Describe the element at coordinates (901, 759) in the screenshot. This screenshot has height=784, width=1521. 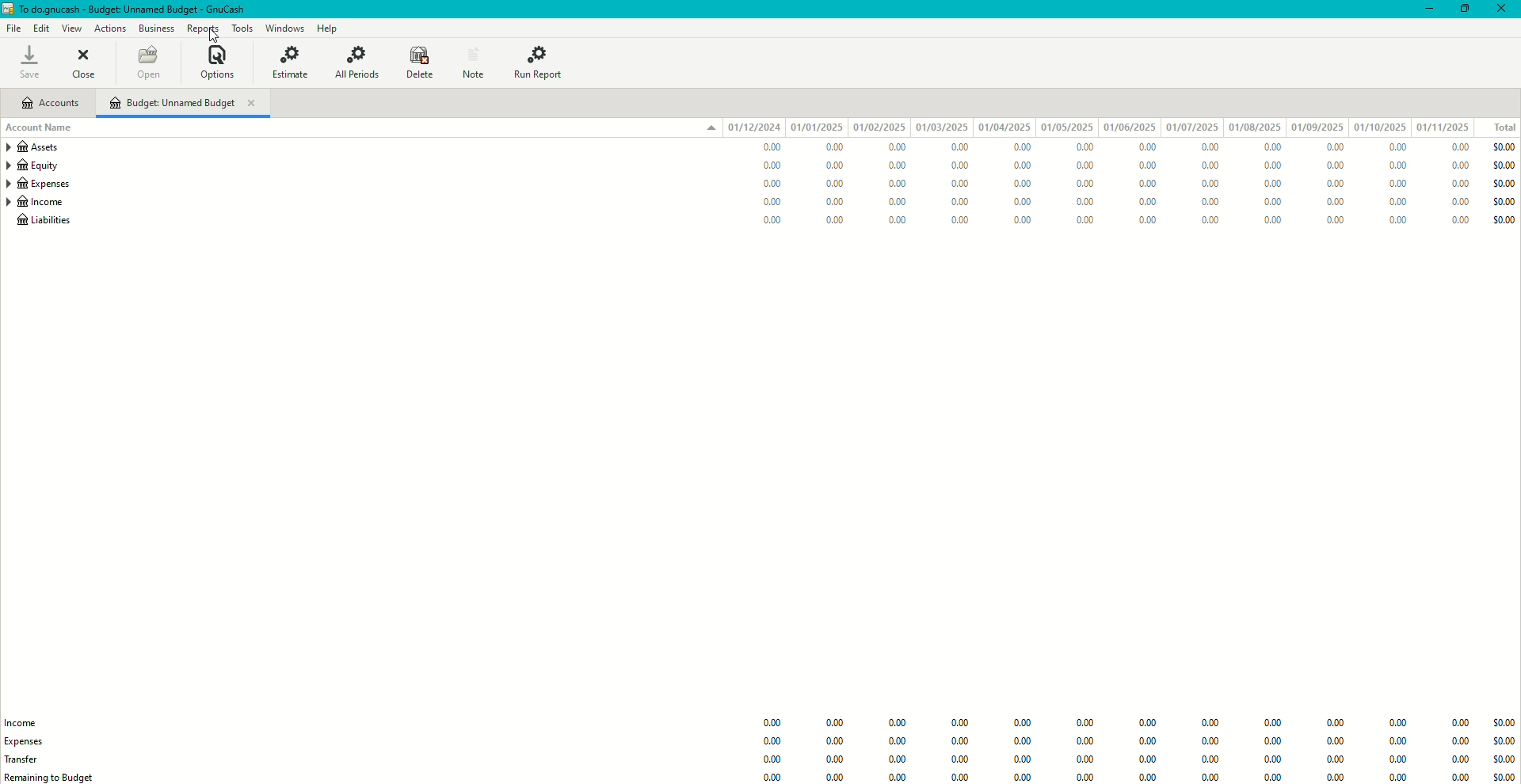
I see `0.00` at that location.